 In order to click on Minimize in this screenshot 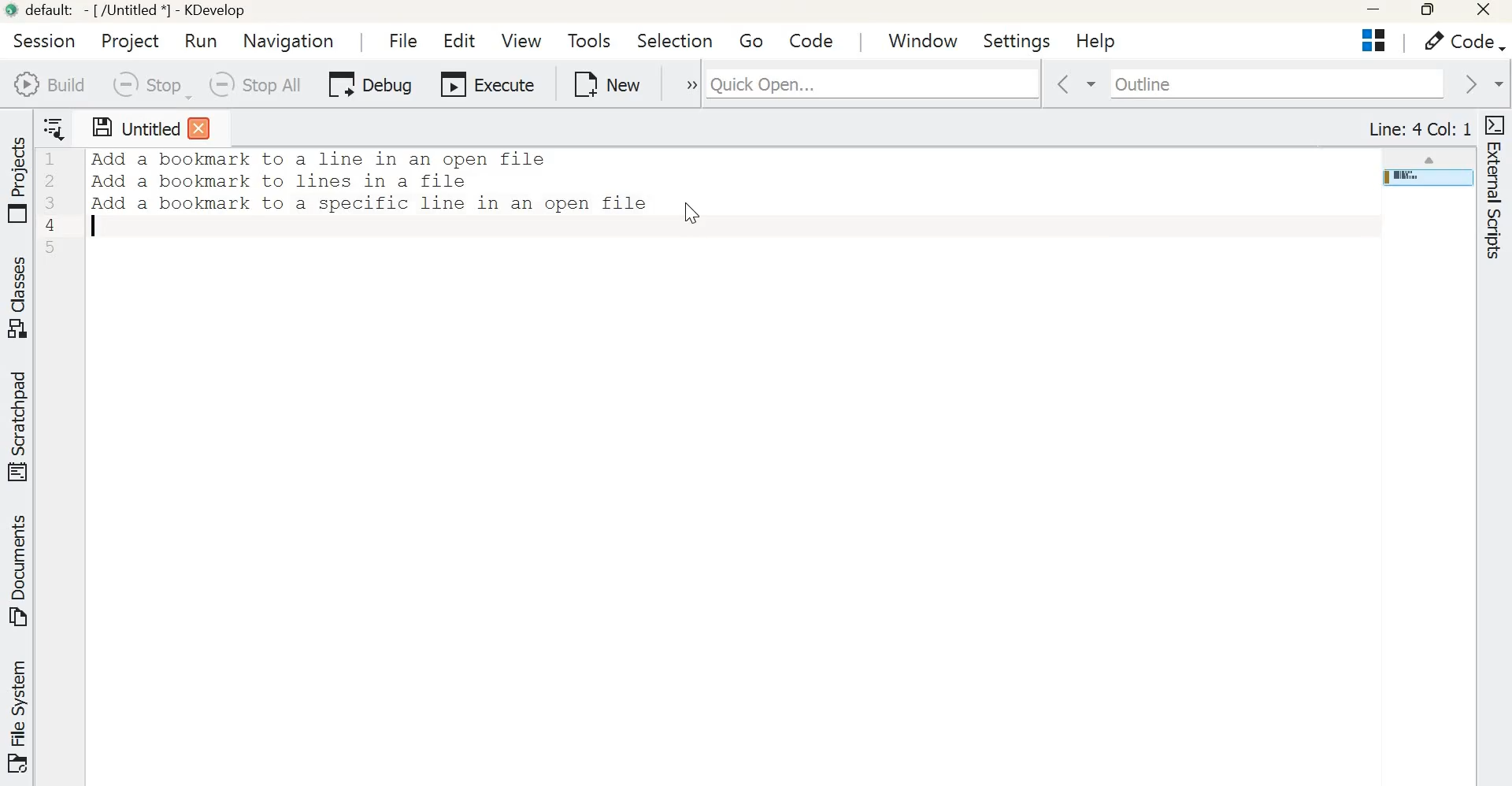, I will do `click(1376, 12)`.